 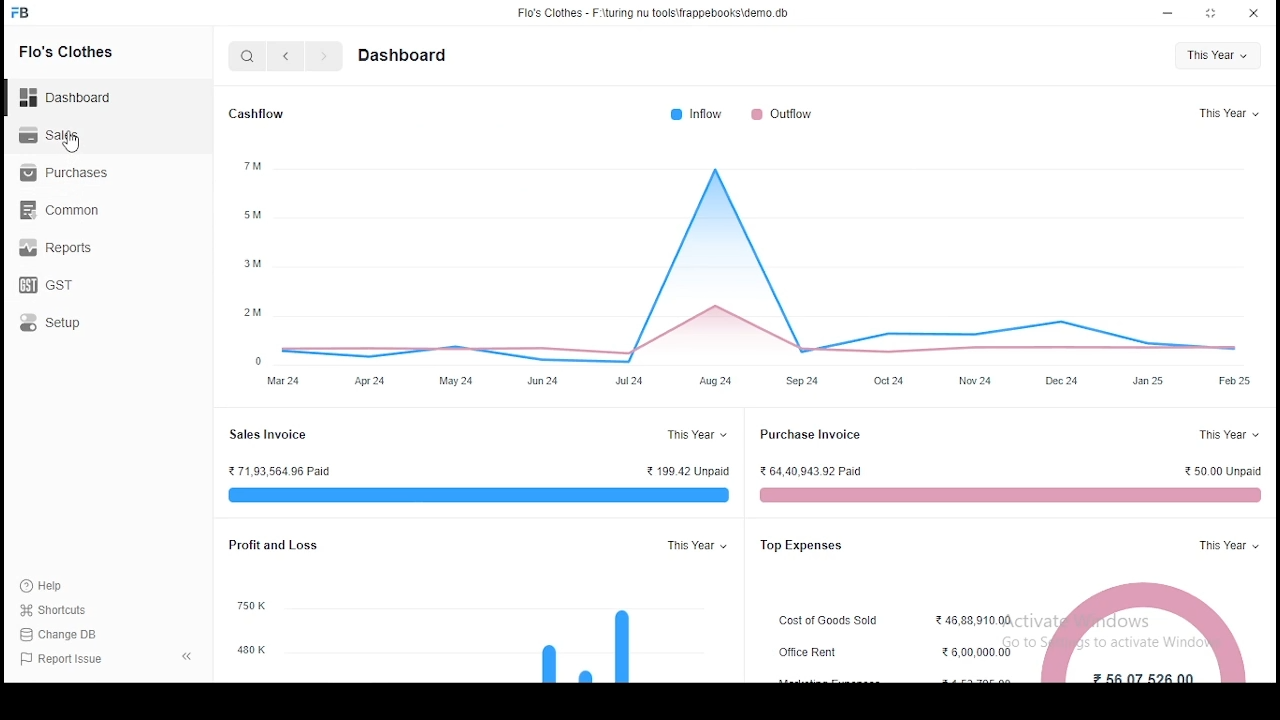 What do you see at coordinates (65, 98) in the screenshot?
I see `Dashboard` at bounding box center [65, 98].